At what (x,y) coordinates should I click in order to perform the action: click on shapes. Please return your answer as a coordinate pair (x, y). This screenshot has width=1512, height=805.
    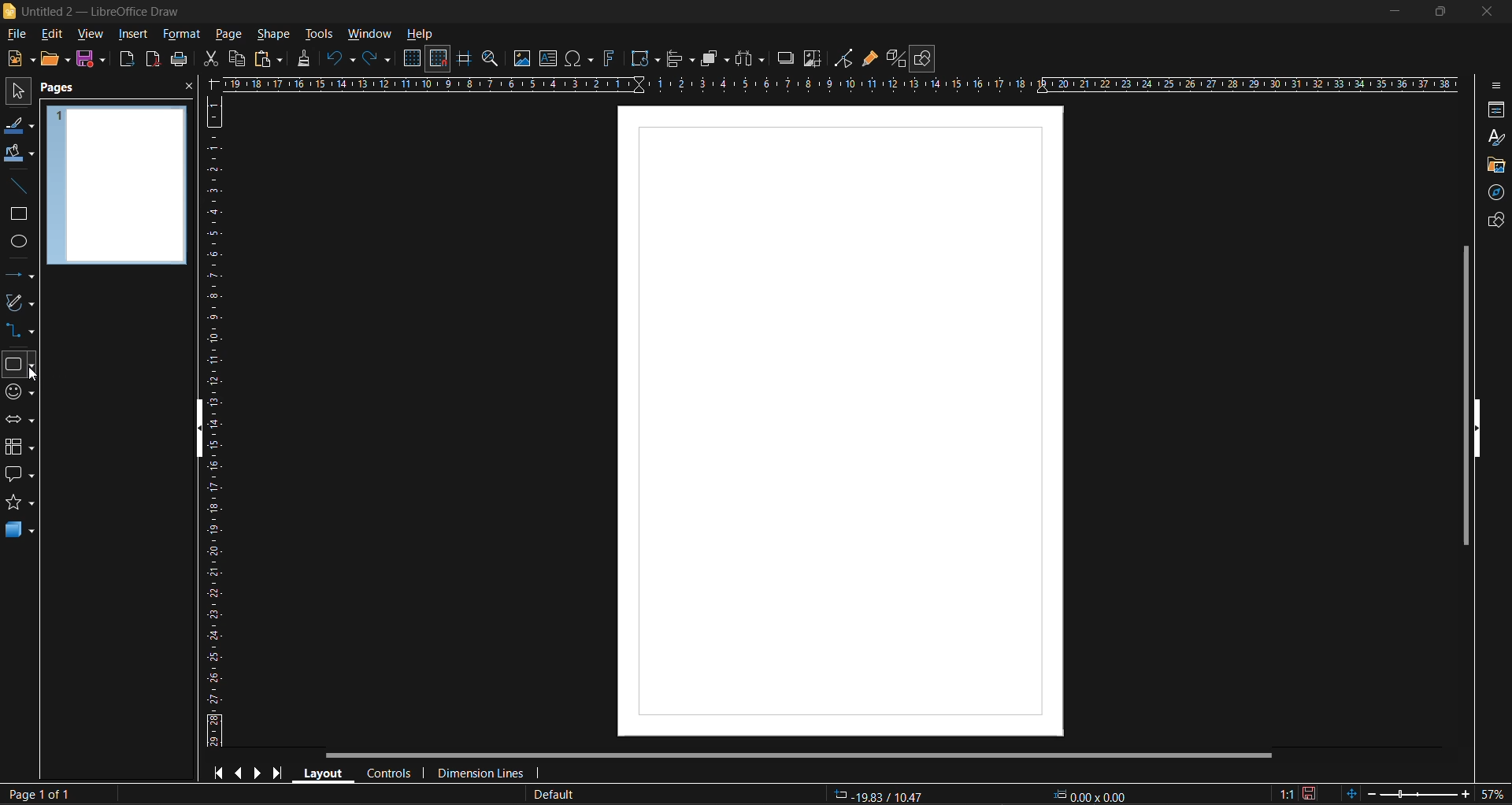
    Looking at the image, I should click on (1494, 220).